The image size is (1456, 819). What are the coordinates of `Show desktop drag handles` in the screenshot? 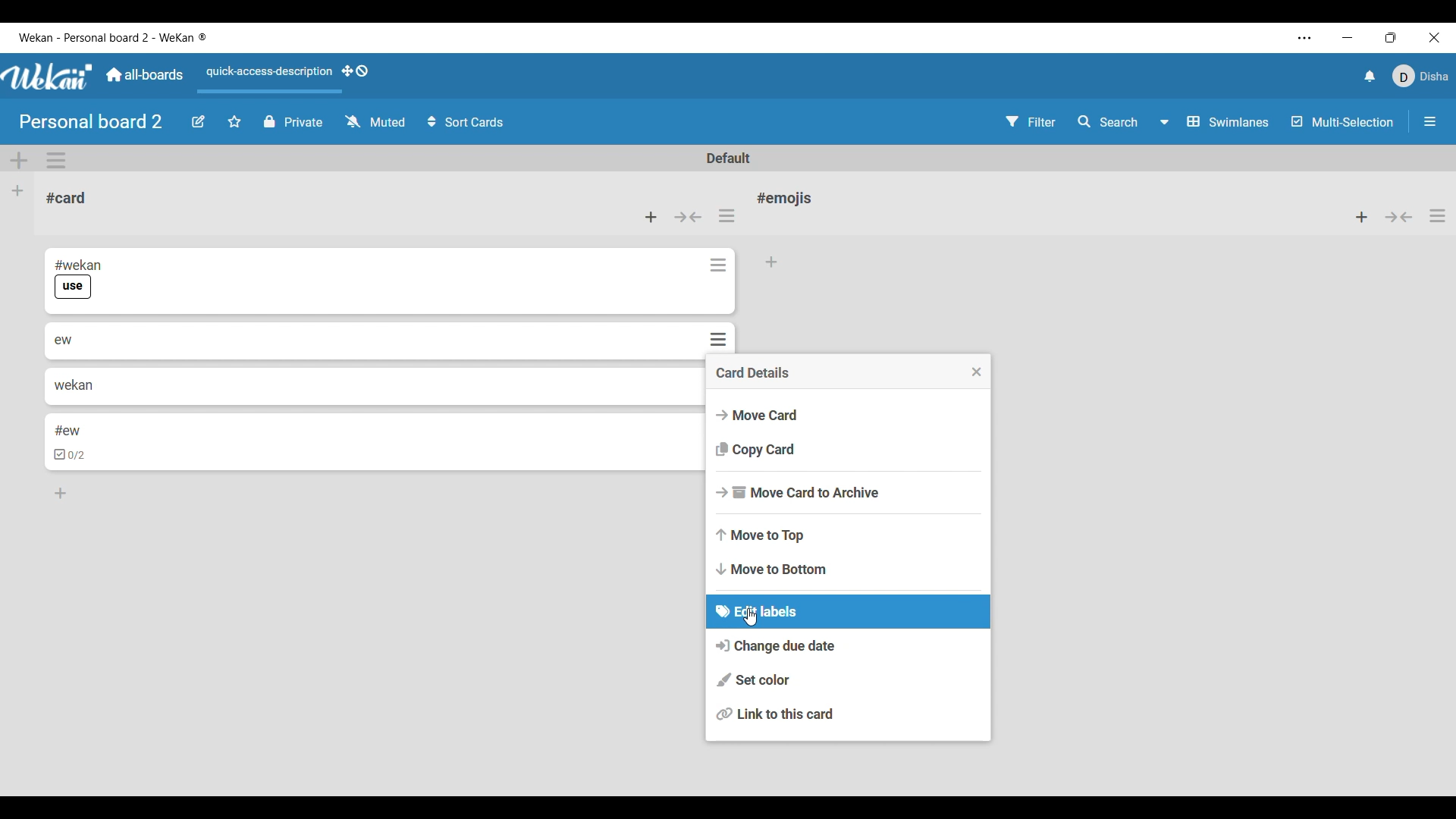 It's located at (355, 71).